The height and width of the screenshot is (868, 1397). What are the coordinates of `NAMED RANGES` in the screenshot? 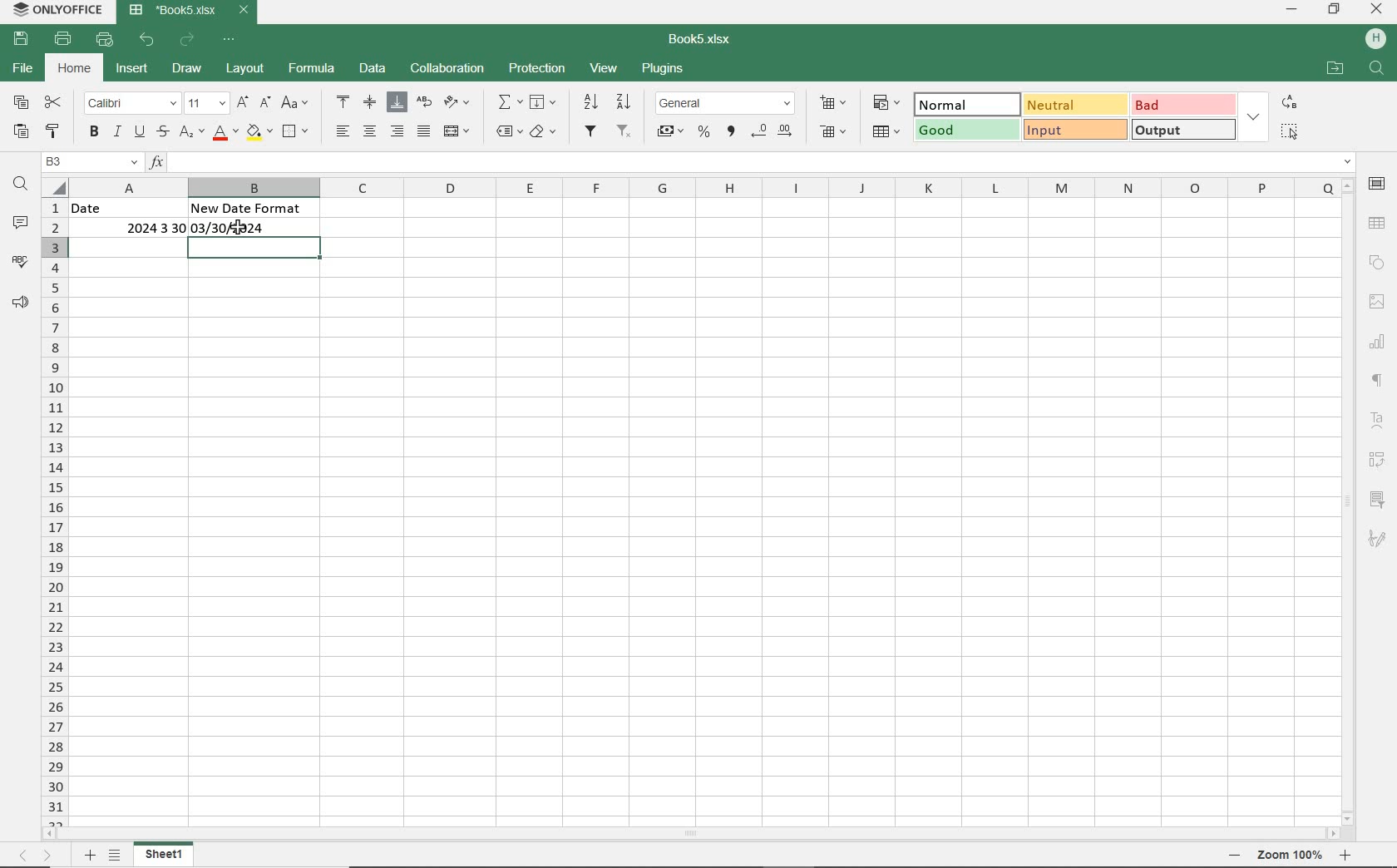 It's located at (505, 131).